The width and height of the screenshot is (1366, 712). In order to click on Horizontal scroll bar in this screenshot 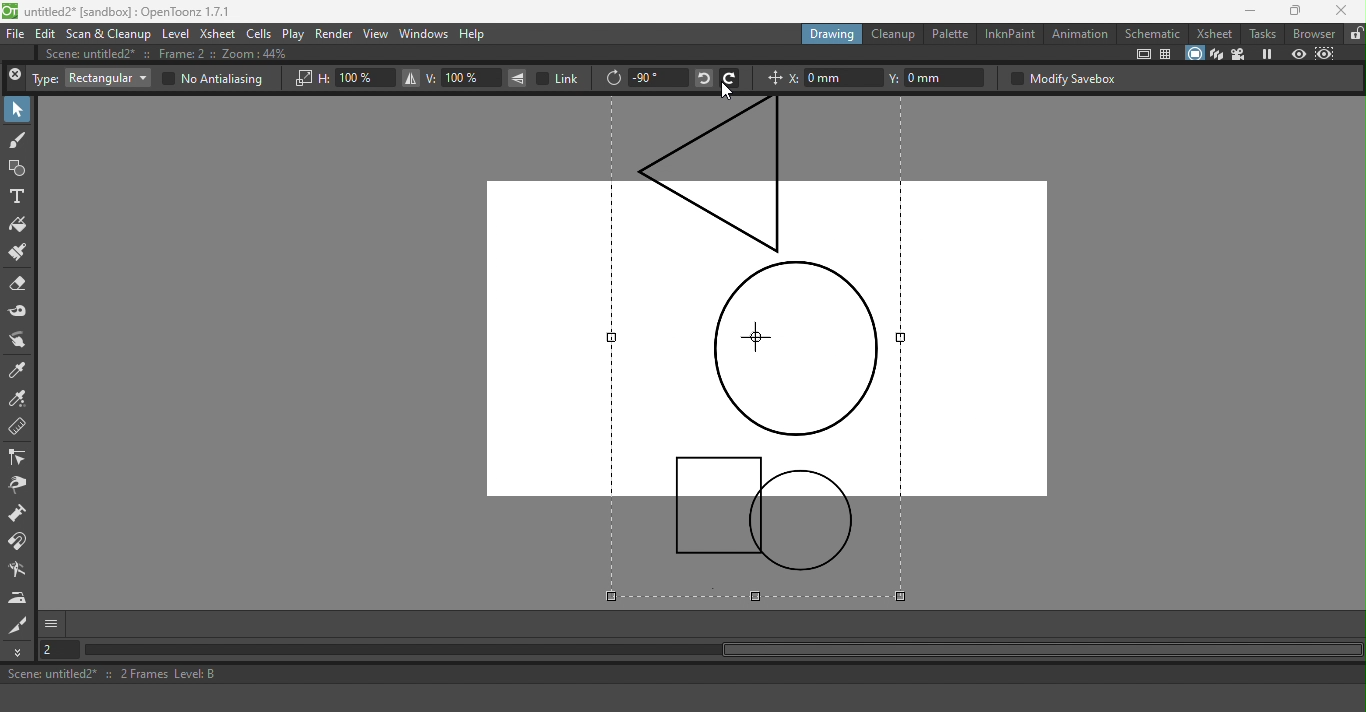, I will do `click(733, 651)`.